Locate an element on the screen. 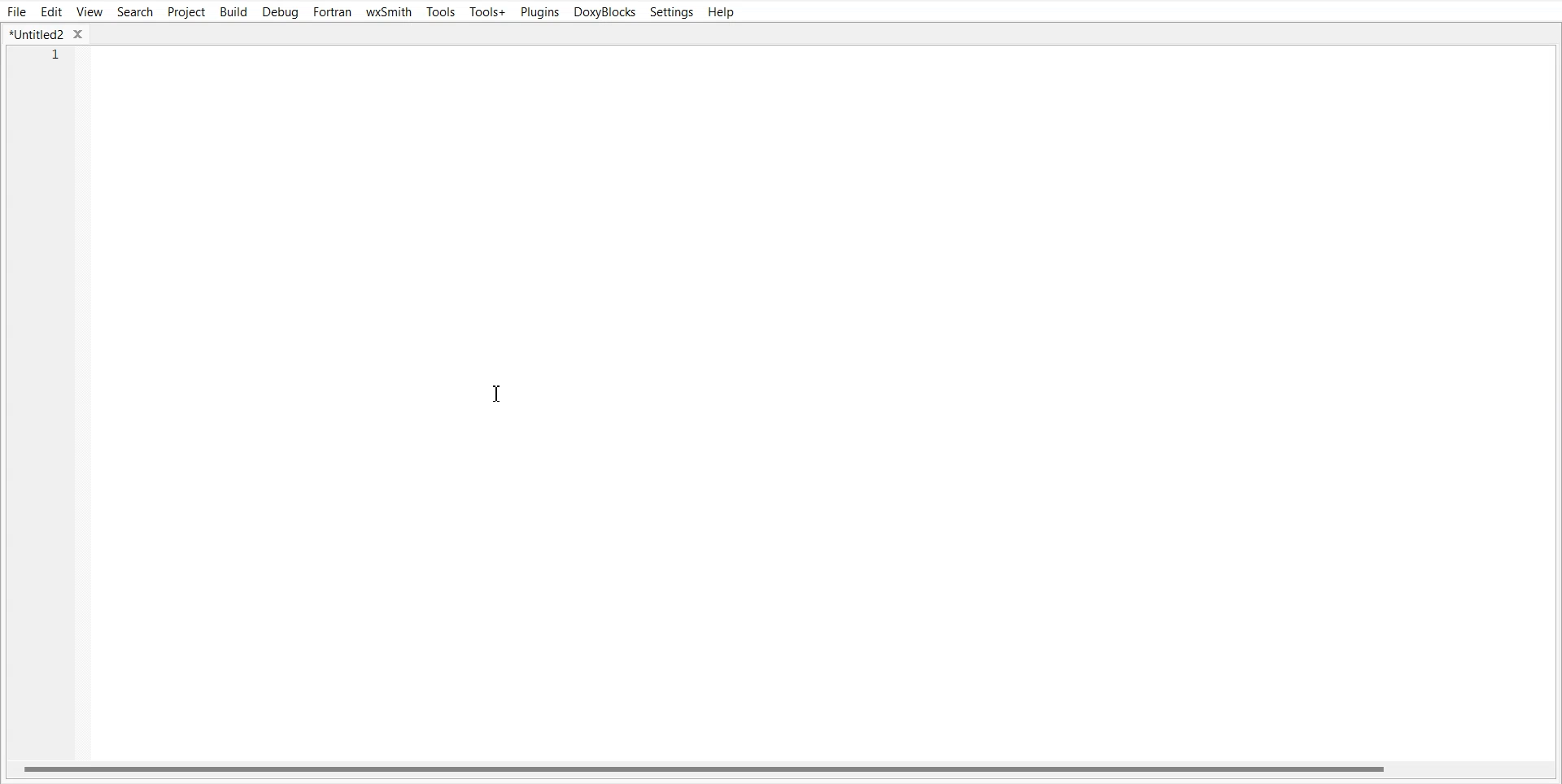  Text cursor is located at coordinates (500, 394).